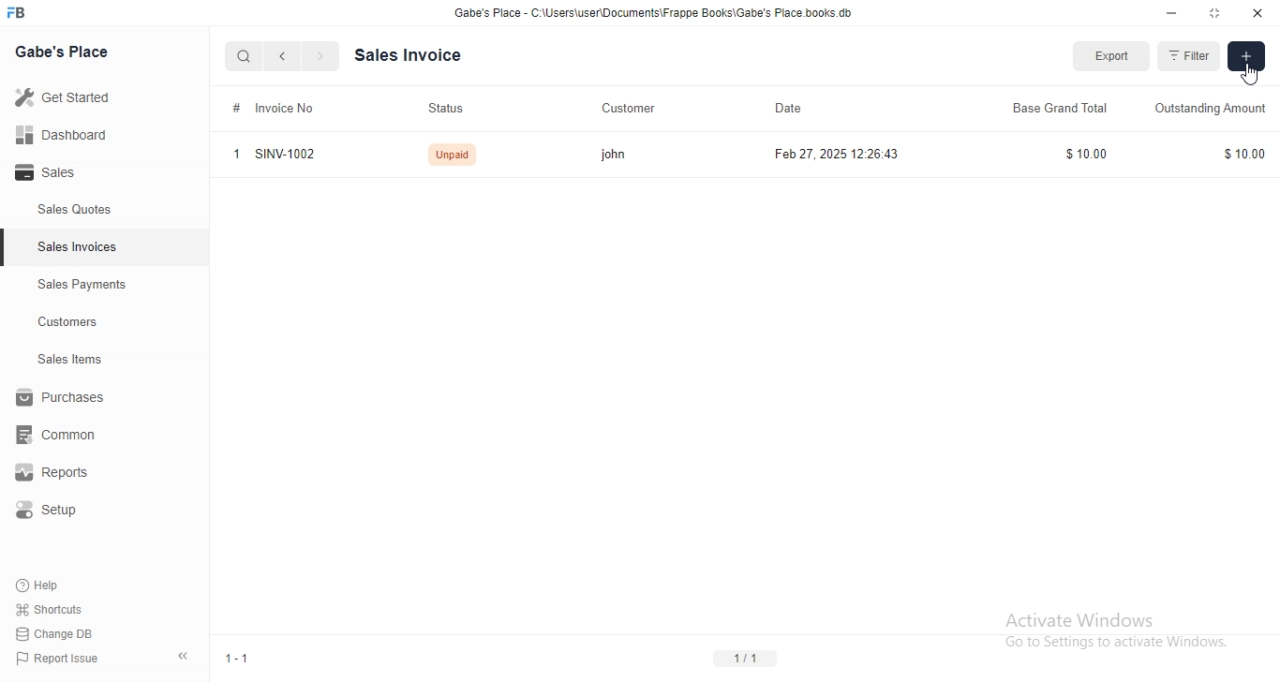  I want to click on Sales Invoice, so click(419, 55).